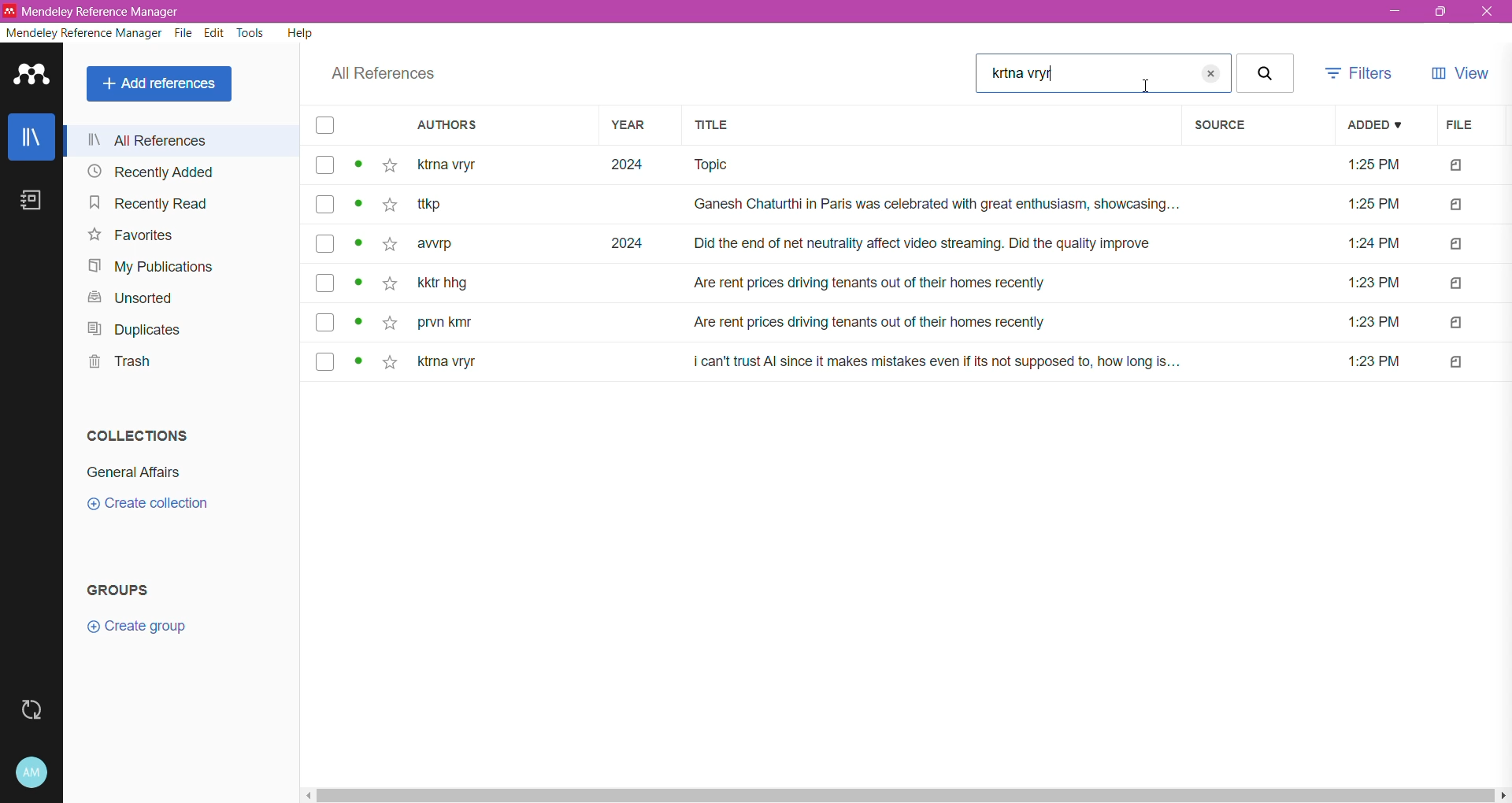 This screenshot has height=803, width=1512. What do you see at coordinates (249, 35) in the screenshot?
I see `Tools` at bounding box center [249, 35].